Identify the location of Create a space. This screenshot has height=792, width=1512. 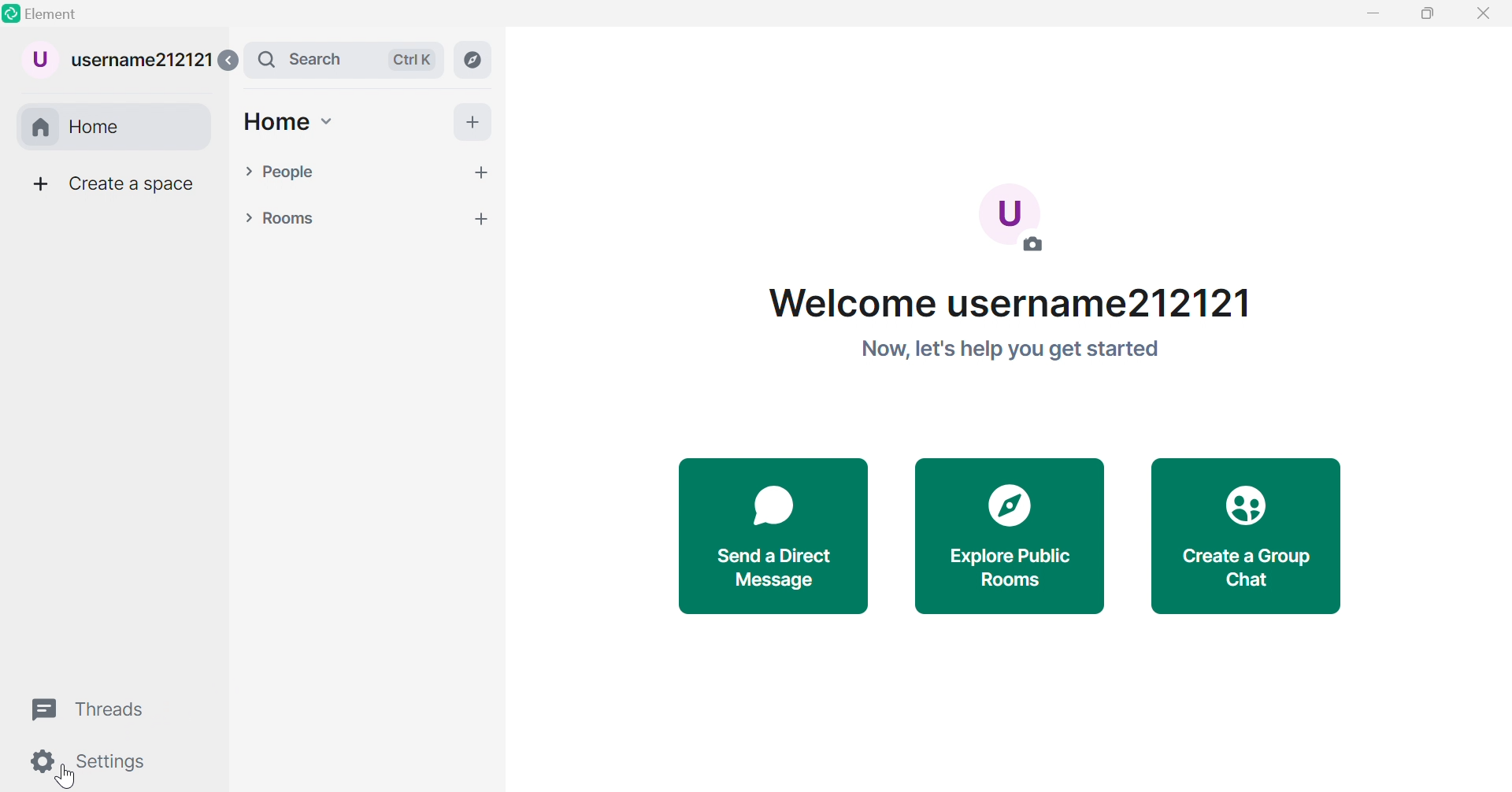
(132, 184).